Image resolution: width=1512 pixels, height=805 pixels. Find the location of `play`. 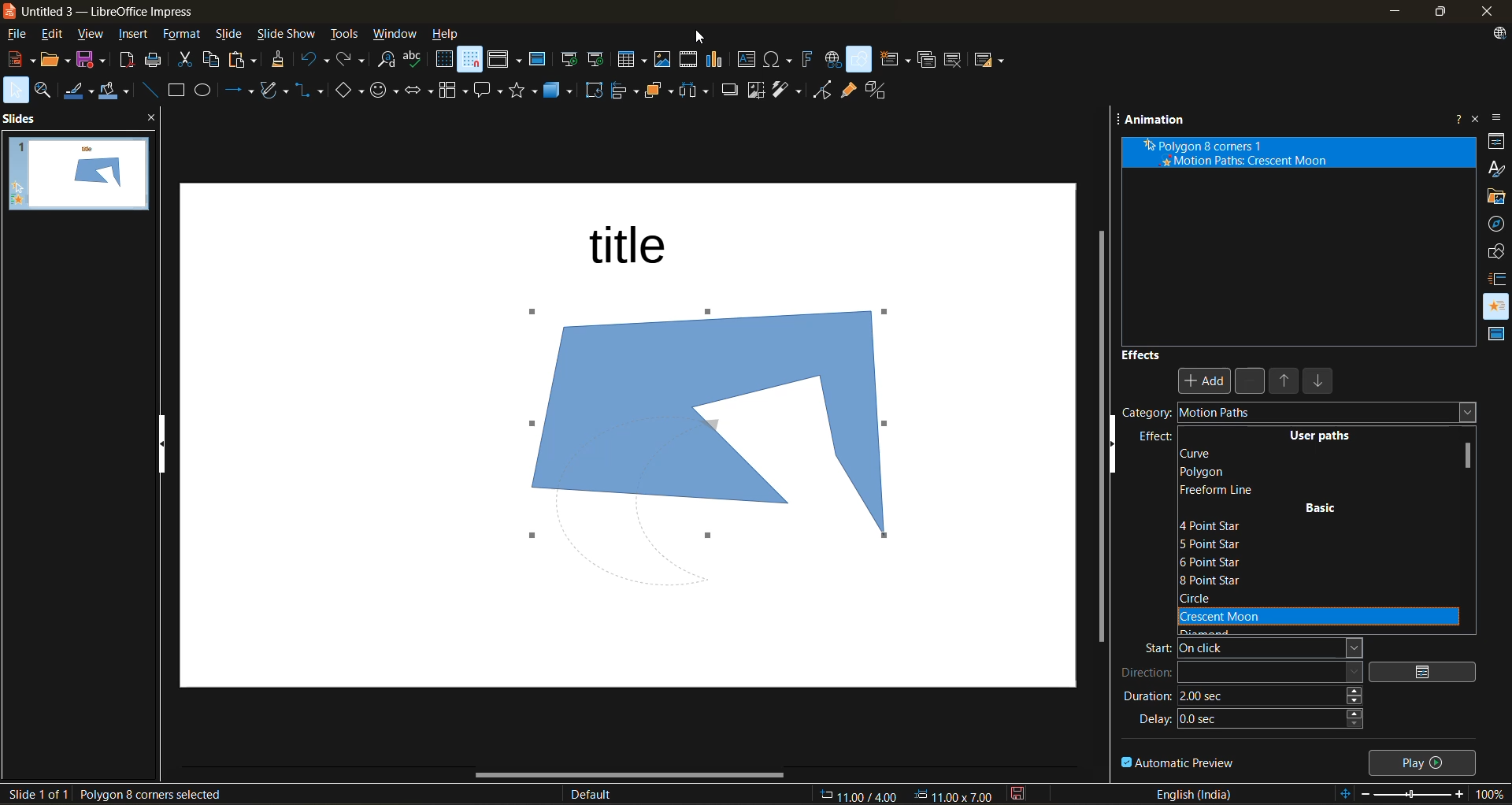

play is located at coordinates (1426, 761).